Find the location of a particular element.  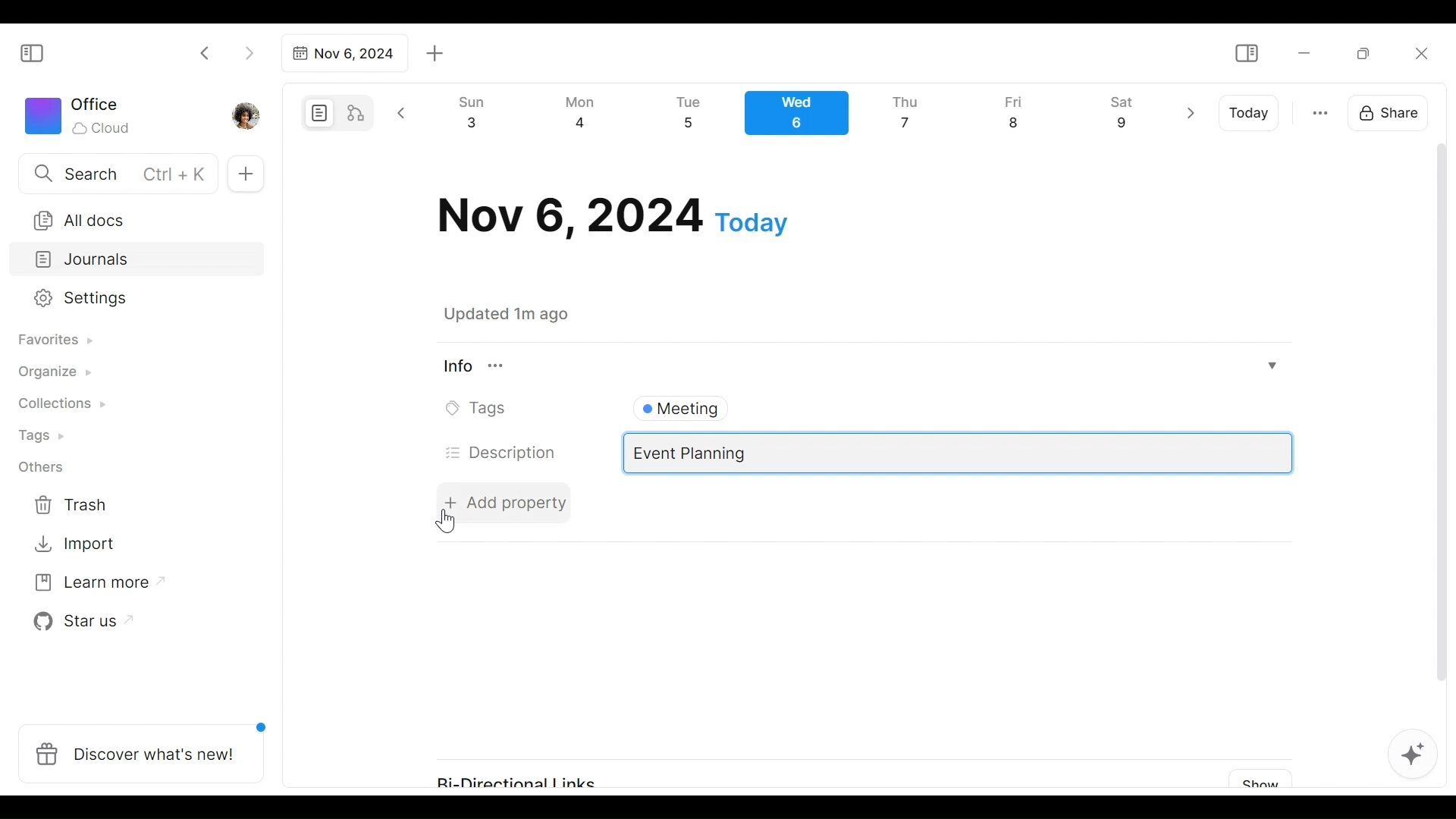

Workspace icon is located at coordinates (80, 114).